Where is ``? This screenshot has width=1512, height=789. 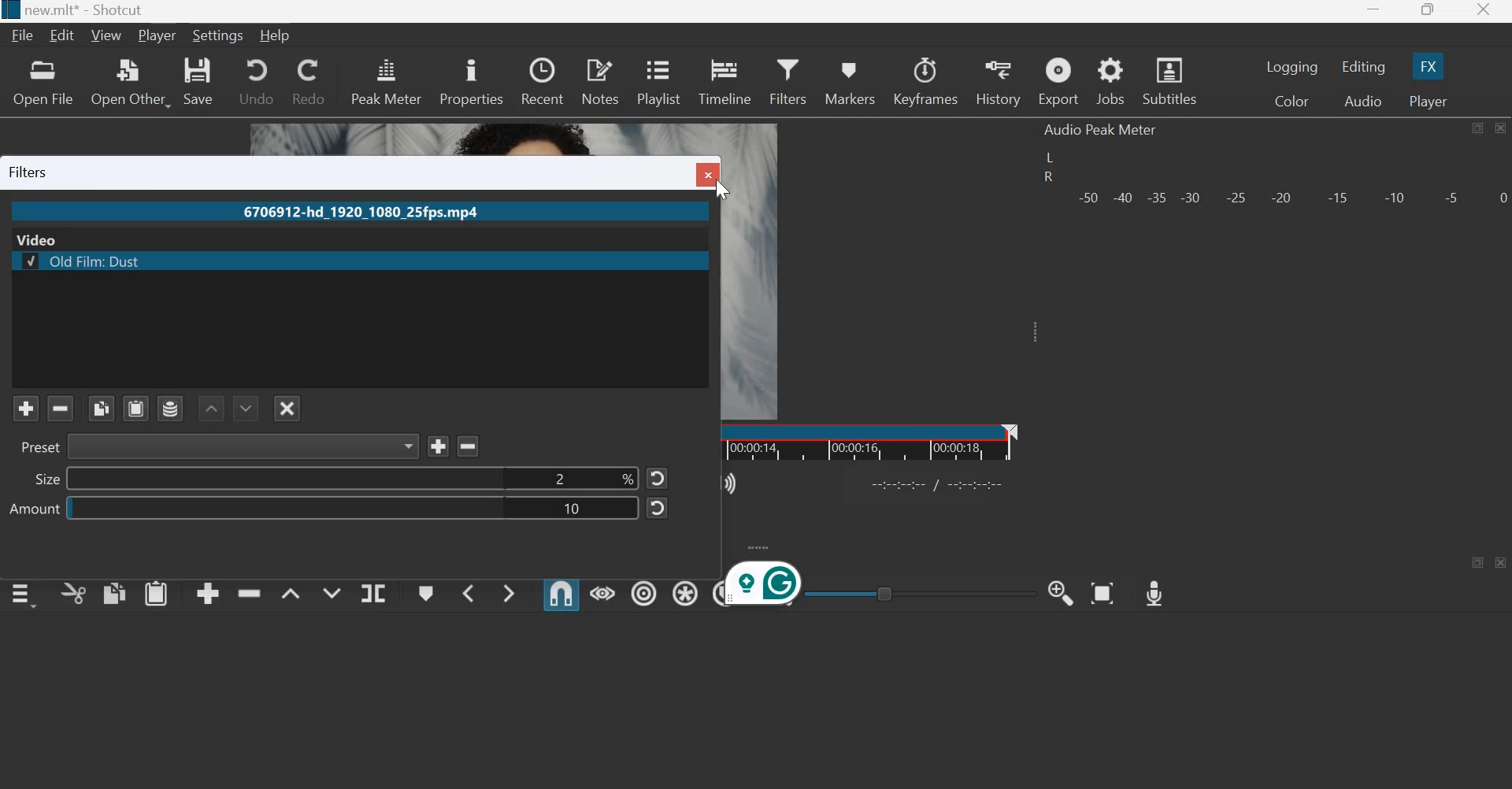
 is located at coordinates (244, 446).